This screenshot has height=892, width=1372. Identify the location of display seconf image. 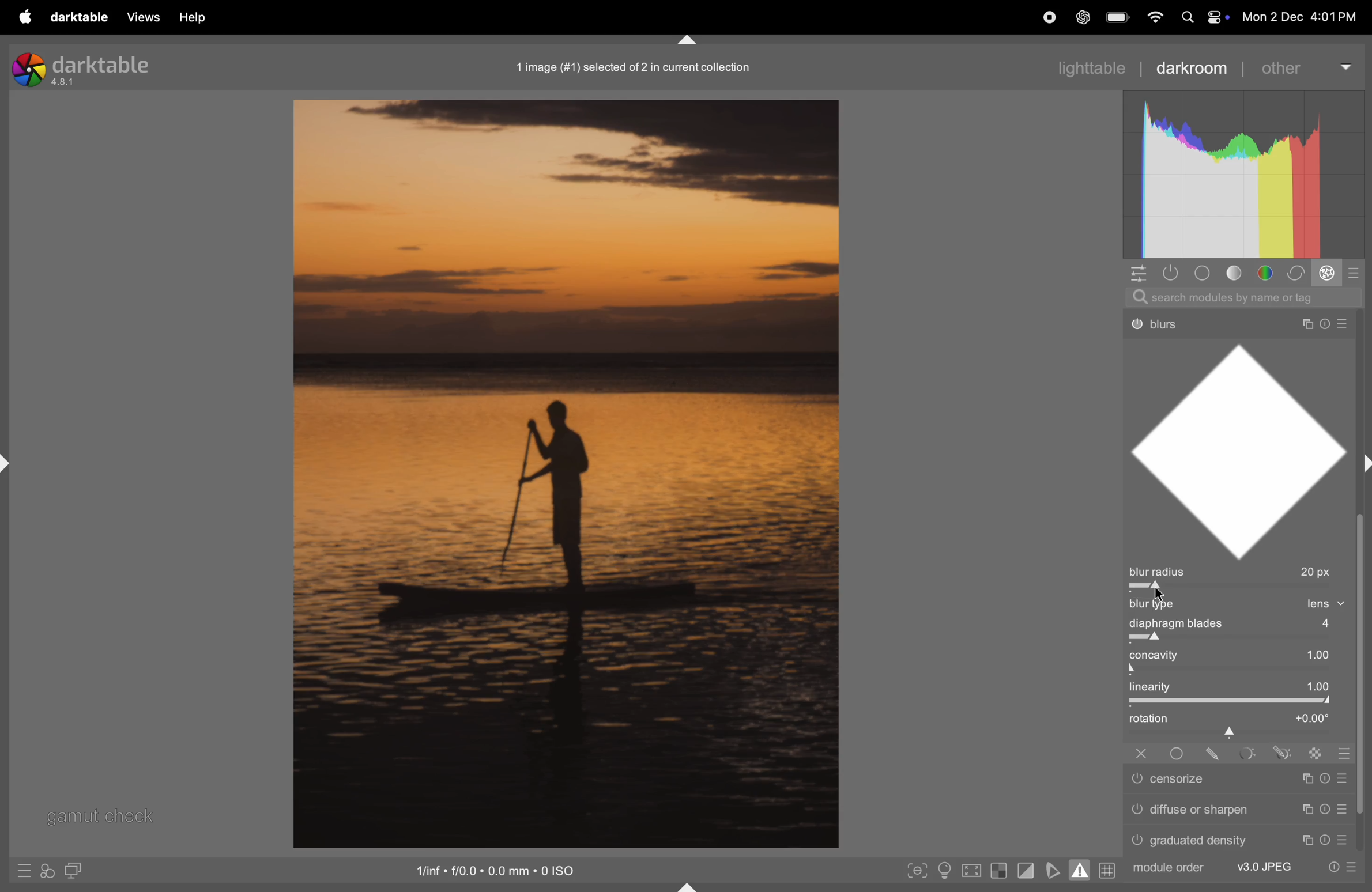
(76, 870).